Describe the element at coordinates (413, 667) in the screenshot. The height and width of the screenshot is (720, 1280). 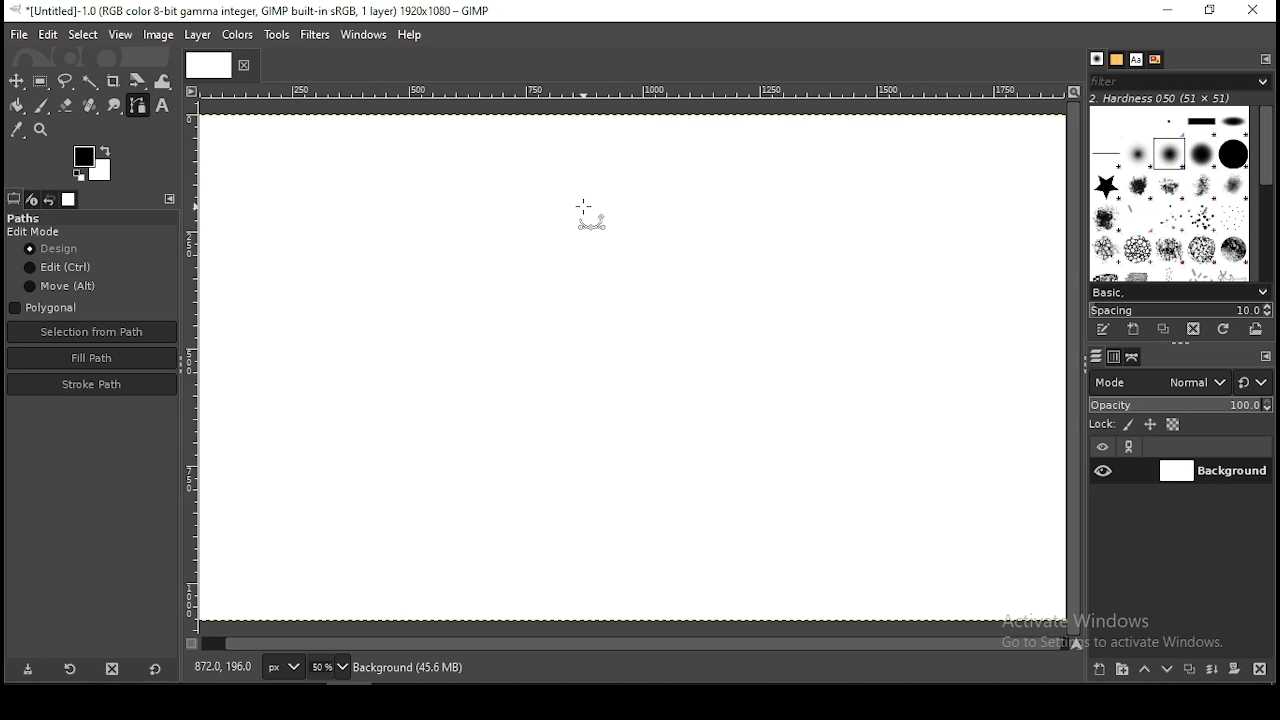
I see `background (45.6mb)` at that location.